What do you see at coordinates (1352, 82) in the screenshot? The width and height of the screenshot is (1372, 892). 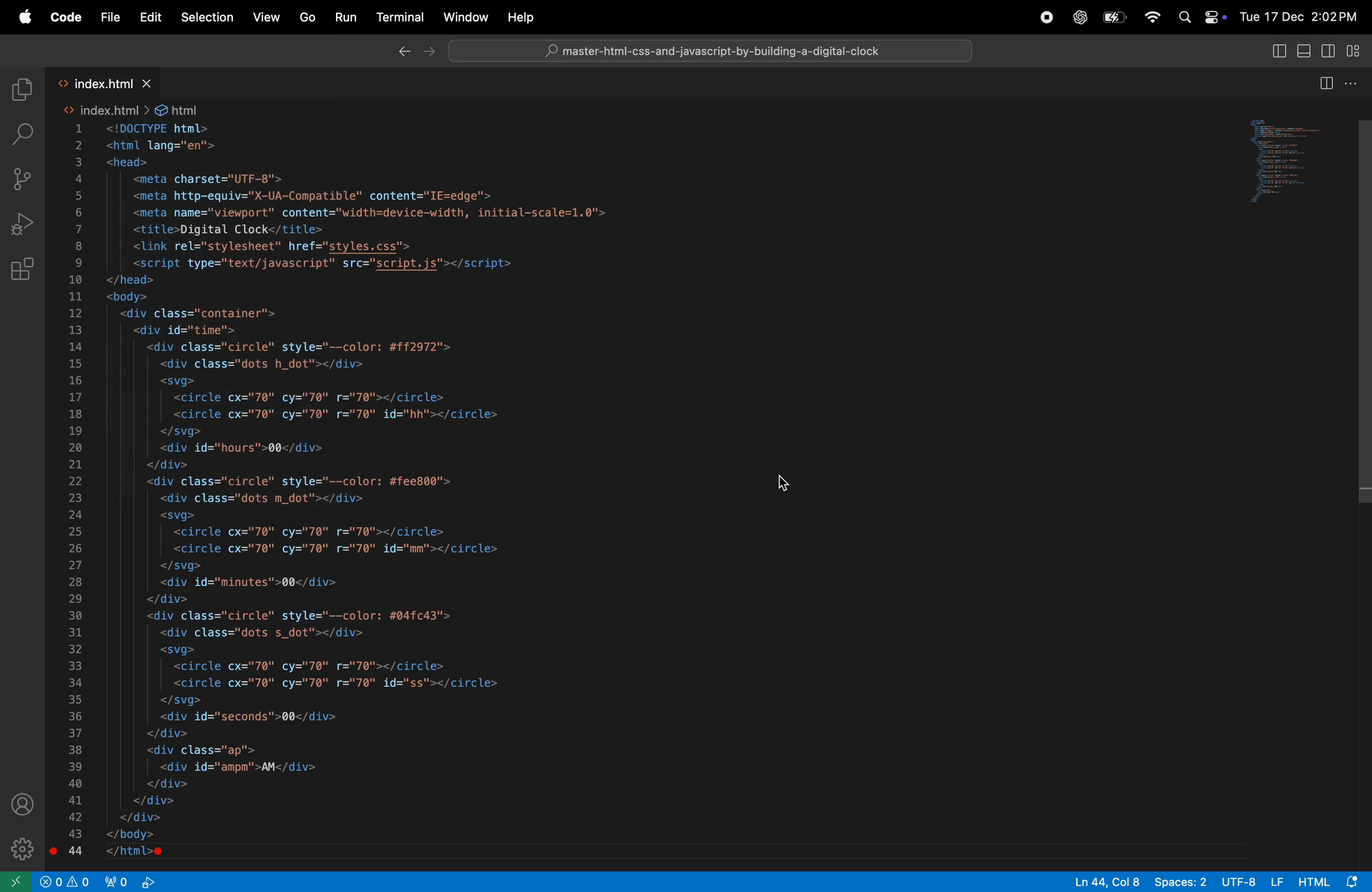 I see `options` at bounding box center [1352, 82].